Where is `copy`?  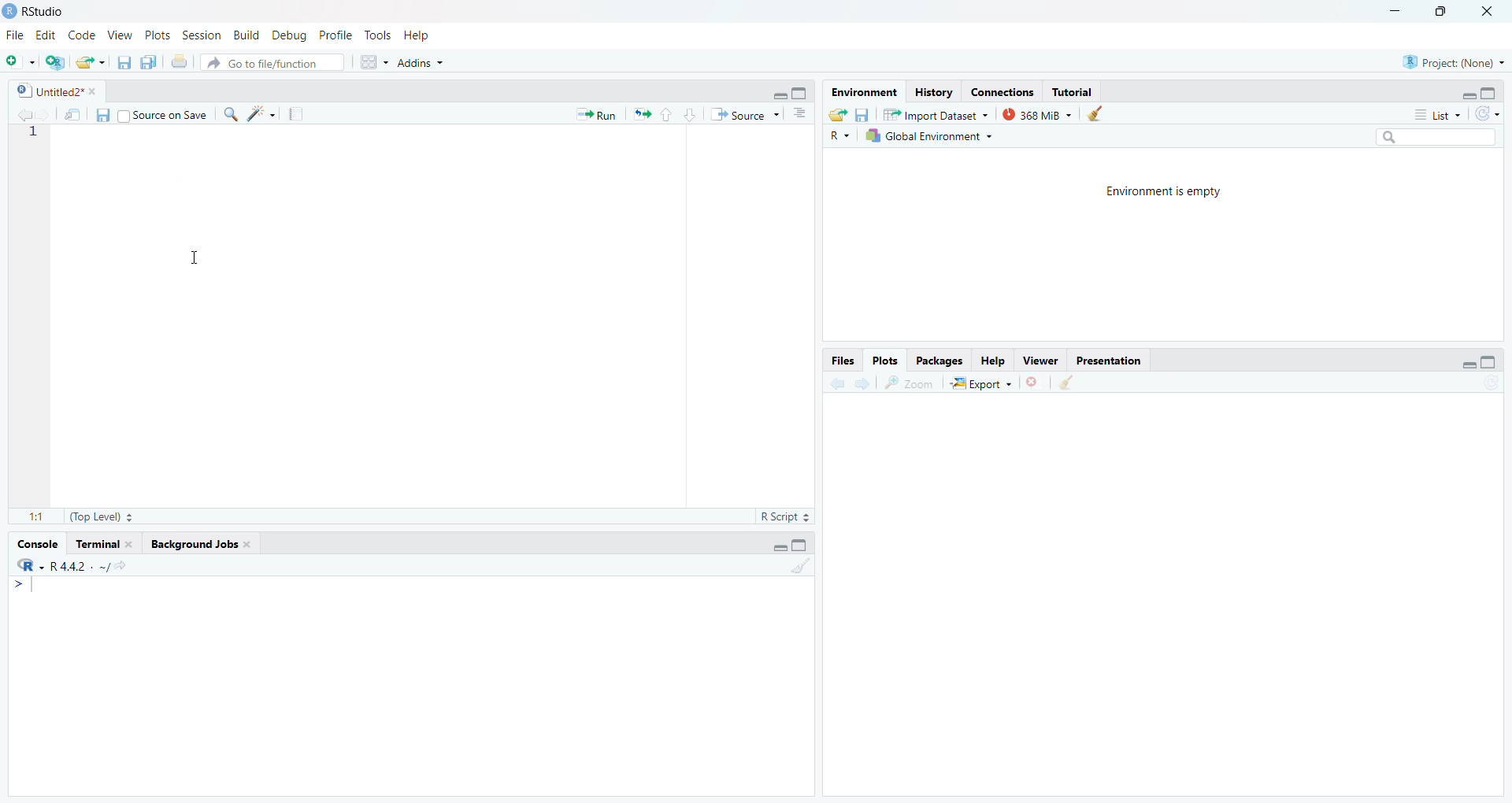
copy is located at coordinates (150, 65).